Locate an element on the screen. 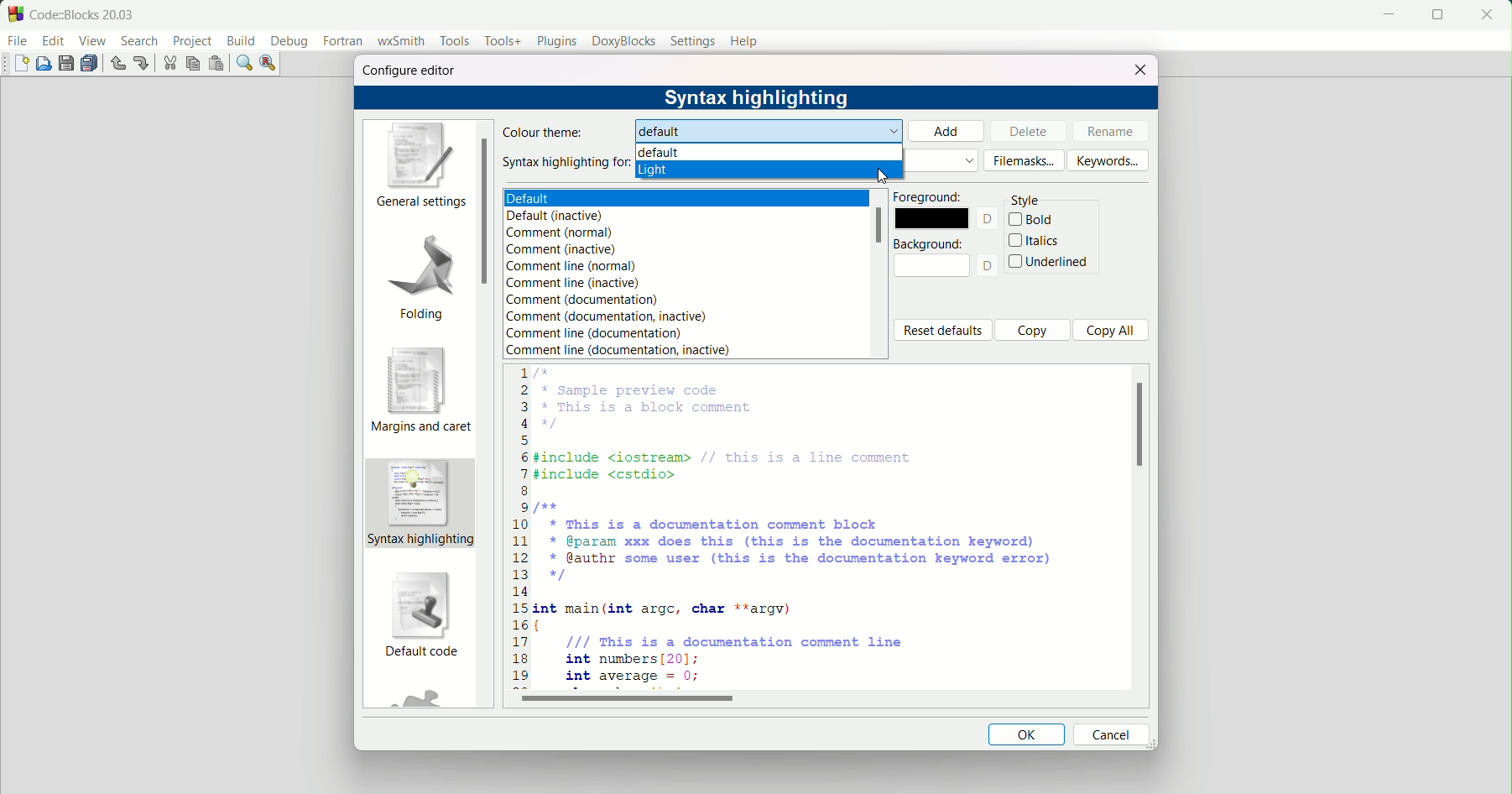 The height and width of the screenshot is (794, 1512). settings is located at coordinates (693, 42).